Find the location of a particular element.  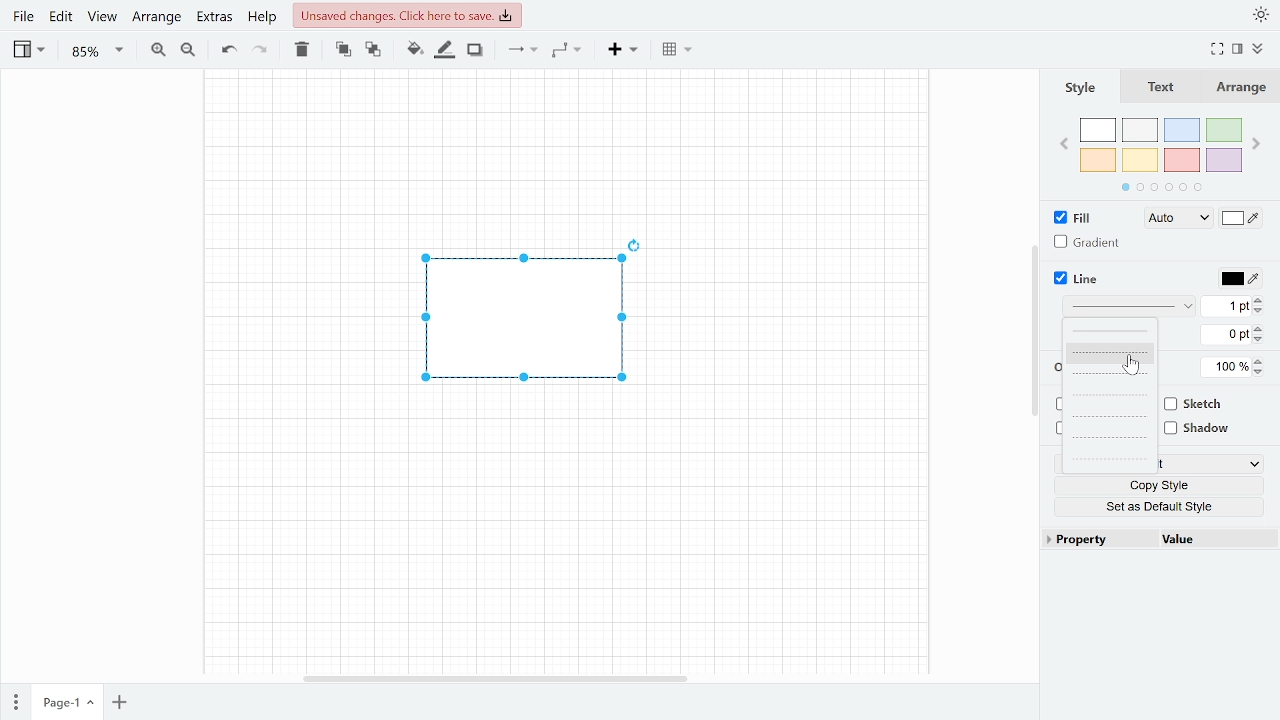

scroll bar is located at coordinates (1033, 325).